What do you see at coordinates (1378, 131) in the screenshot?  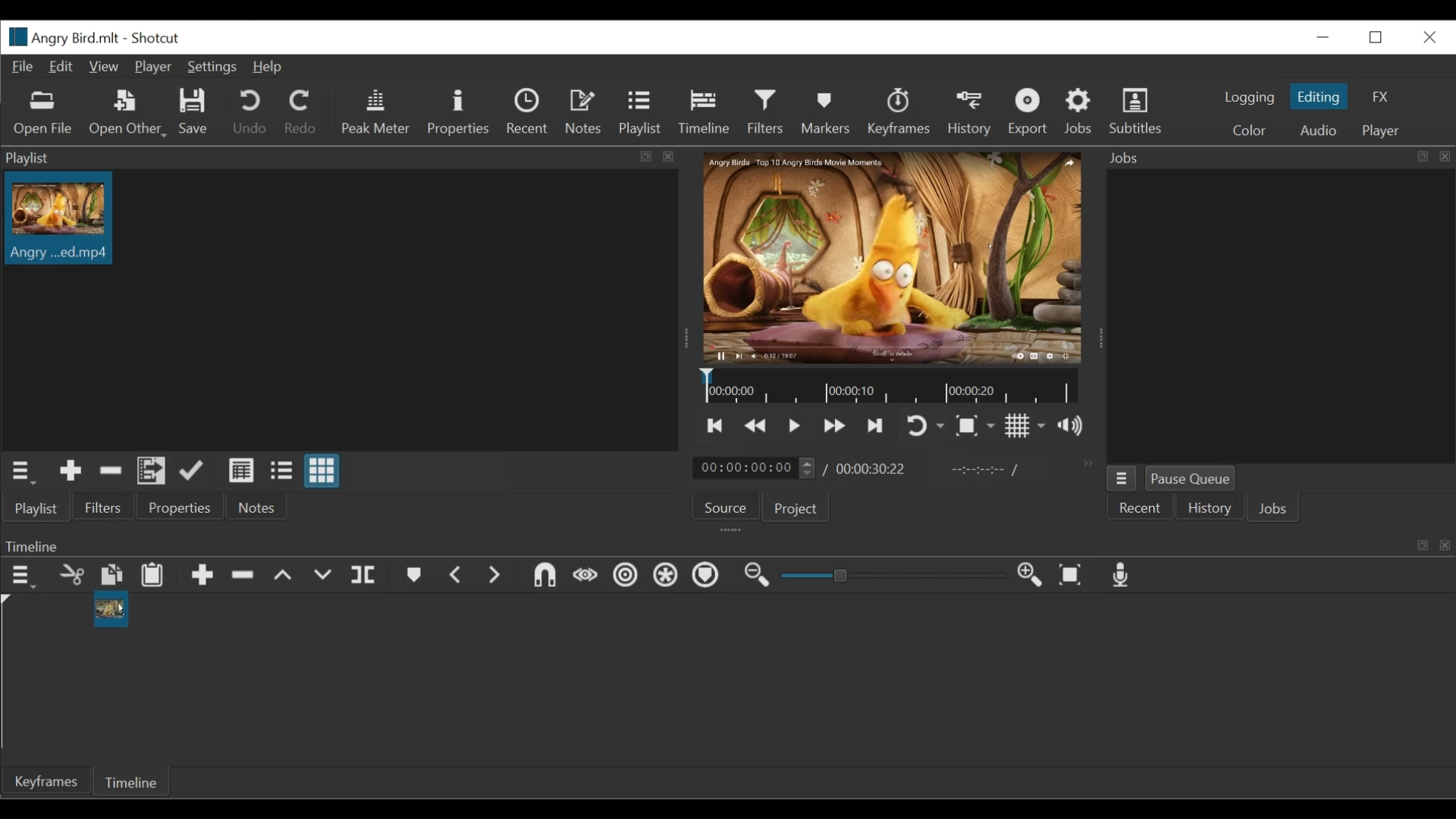 I see `player` at bounding box center [1378, 131].